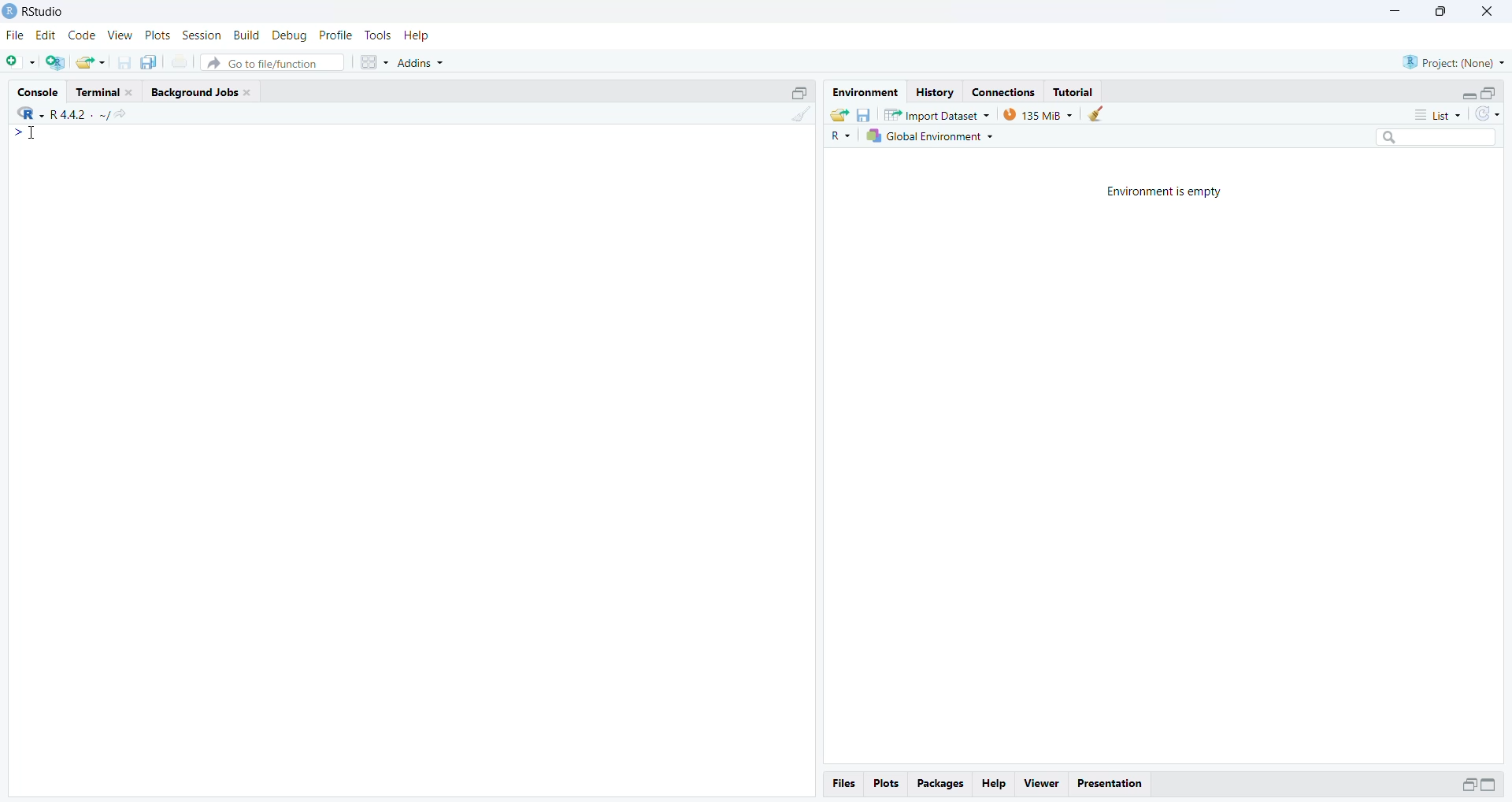 The height and width of the screenshot is (802, 1512). What do you see at coordinates (106, 91) in the screenshot?
I see `Terminal` at bounding box center [106, 91].